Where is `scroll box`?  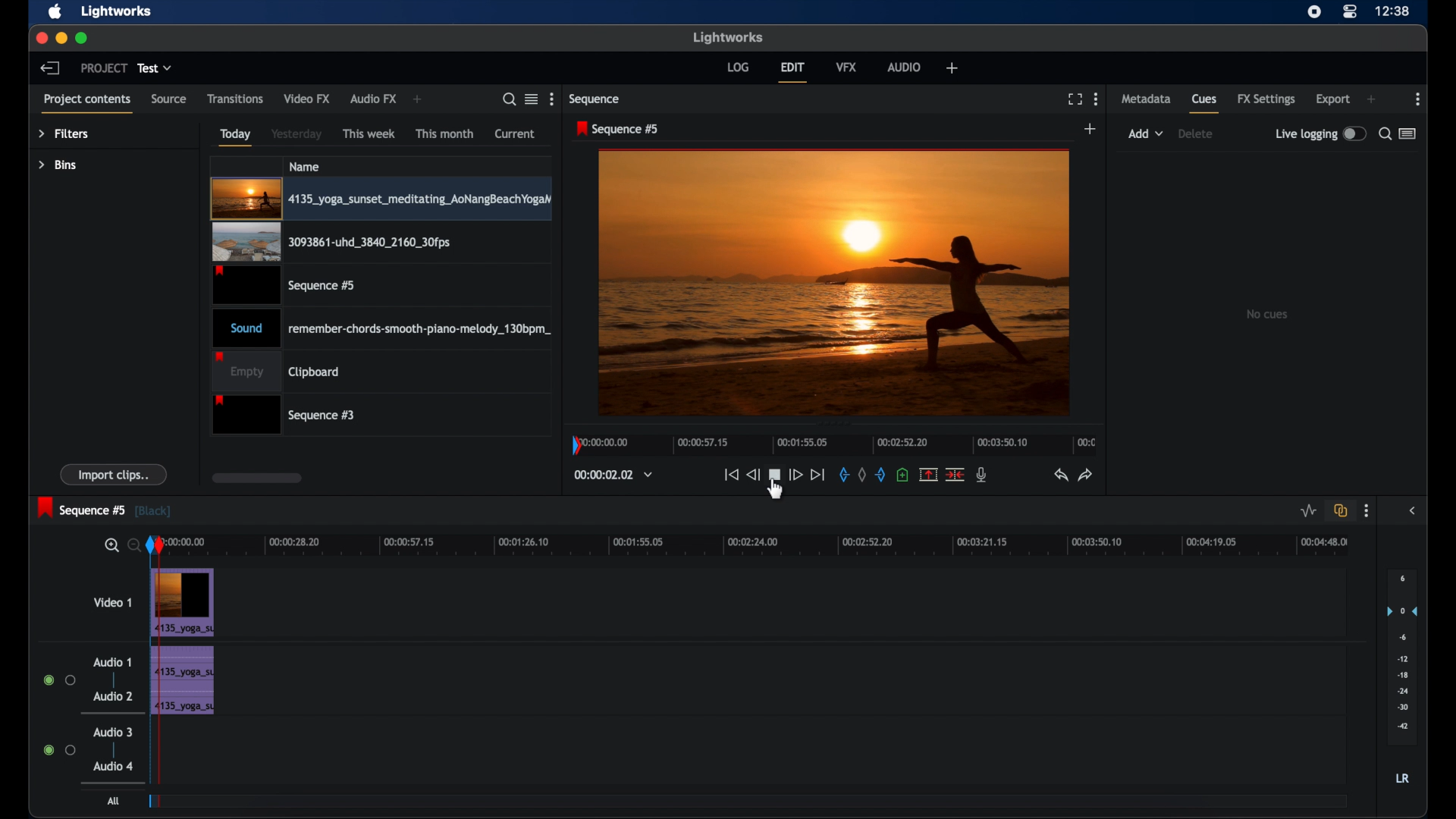 scroll box is located at coordinates (256, 477).